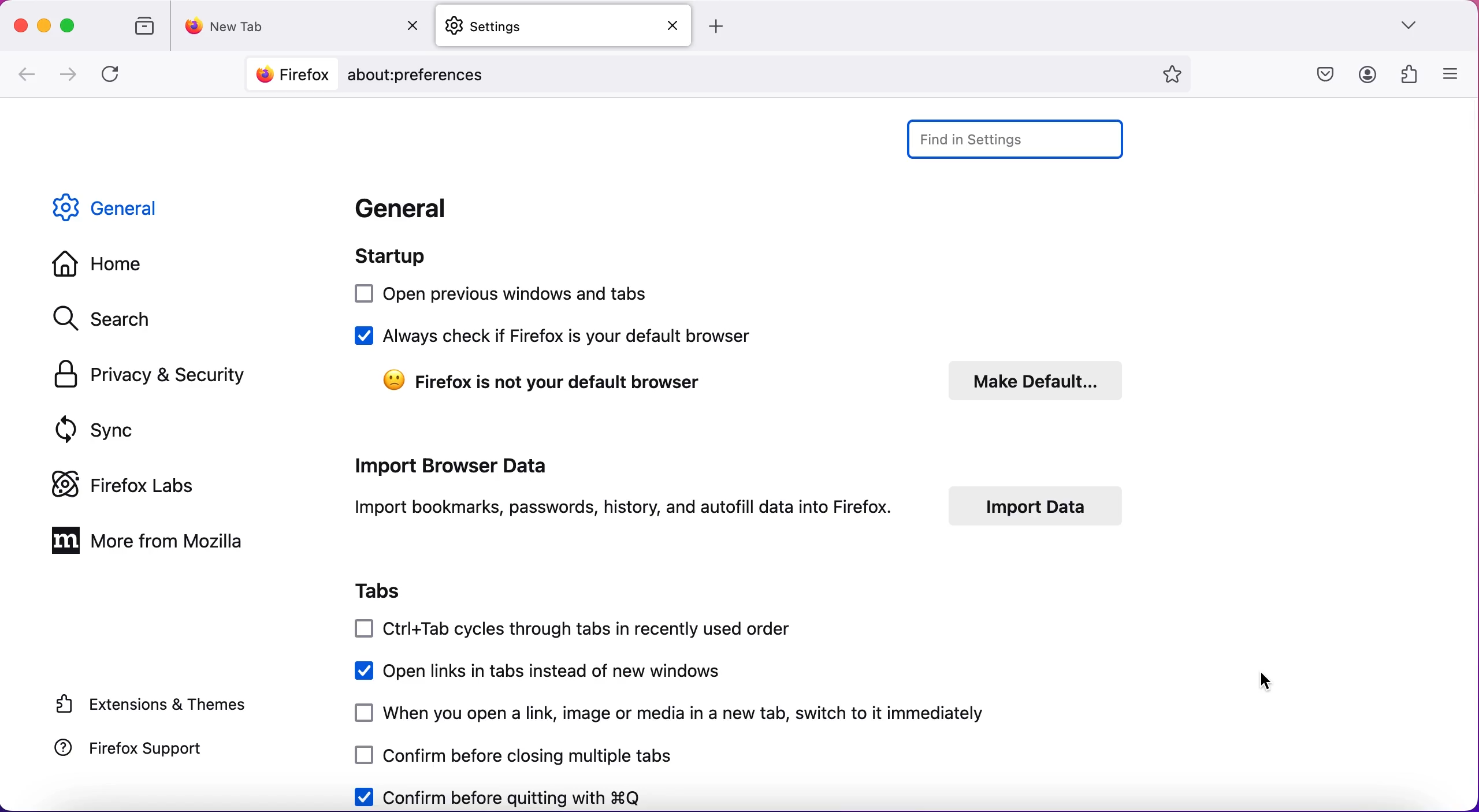 Image resolution: width=1479 pixels, height=812 pixels. I want to click on extensions and themes, so click(163, 704).